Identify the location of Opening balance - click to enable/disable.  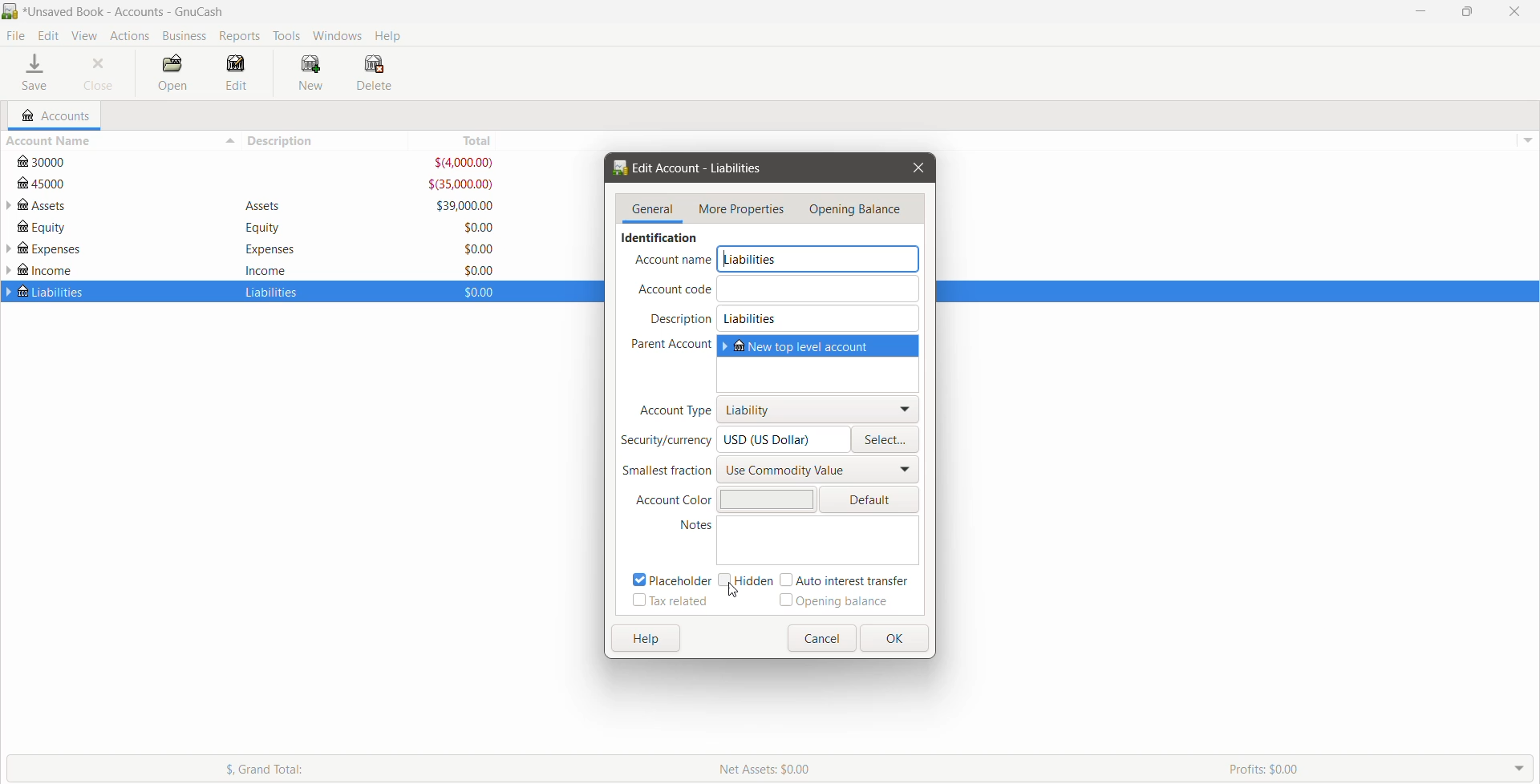
(834, 601).